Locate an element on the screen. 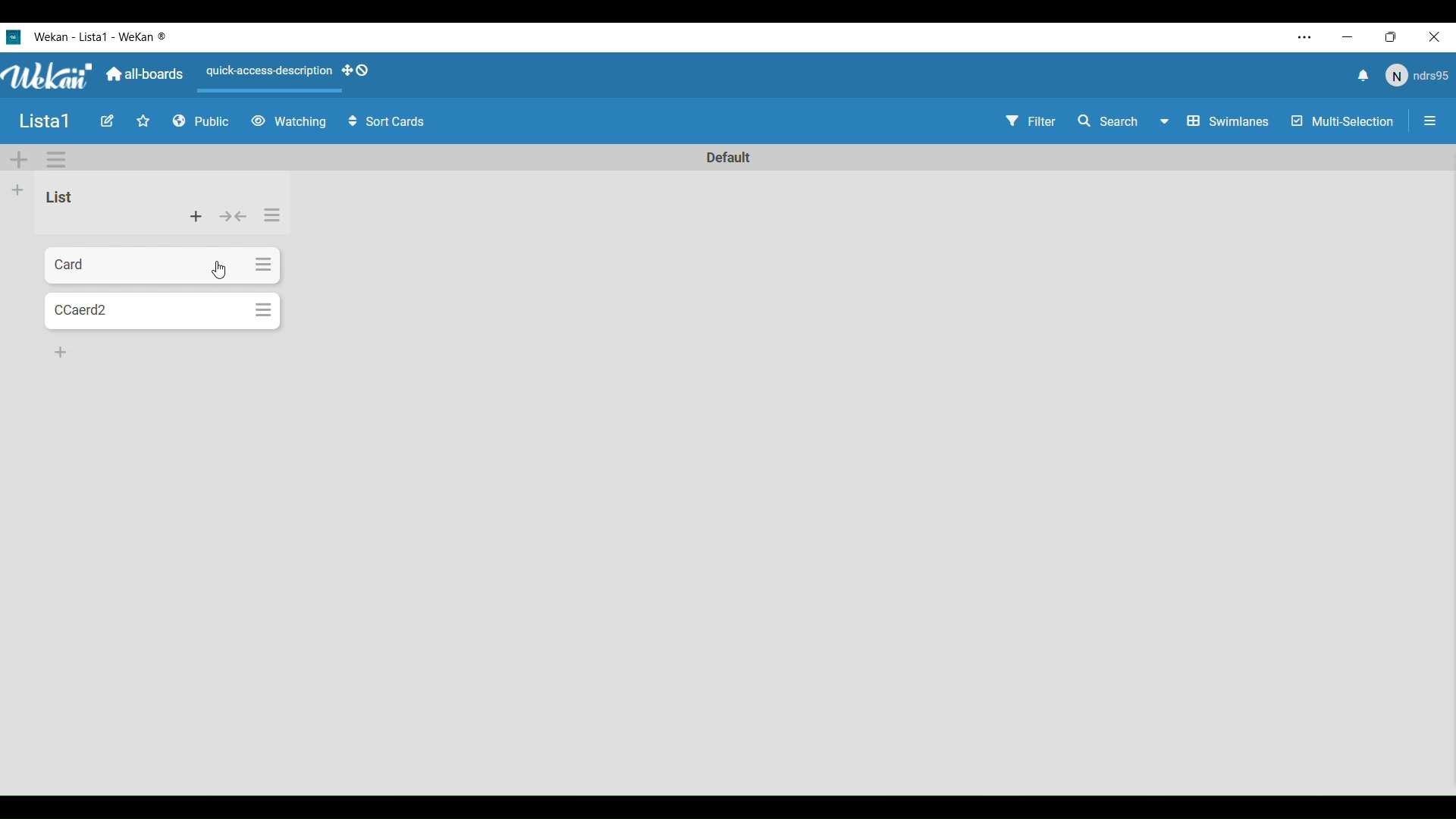 Image resolution: width=1456 pixels, height=819 pixels. Actions is located at coordinates (293, 75).